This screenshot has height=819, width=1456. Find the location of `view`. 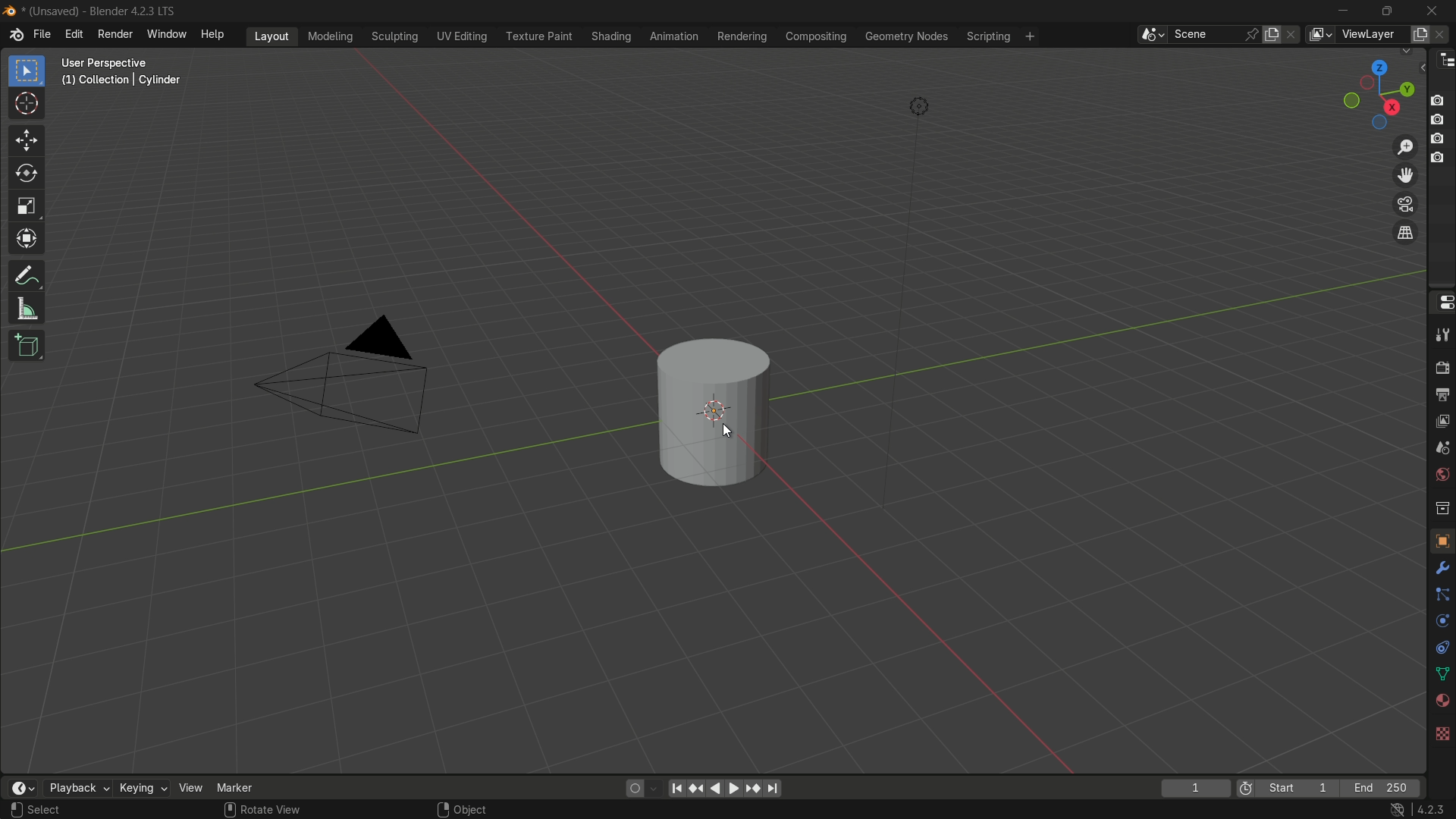

view is located at coordinates (190, 788).